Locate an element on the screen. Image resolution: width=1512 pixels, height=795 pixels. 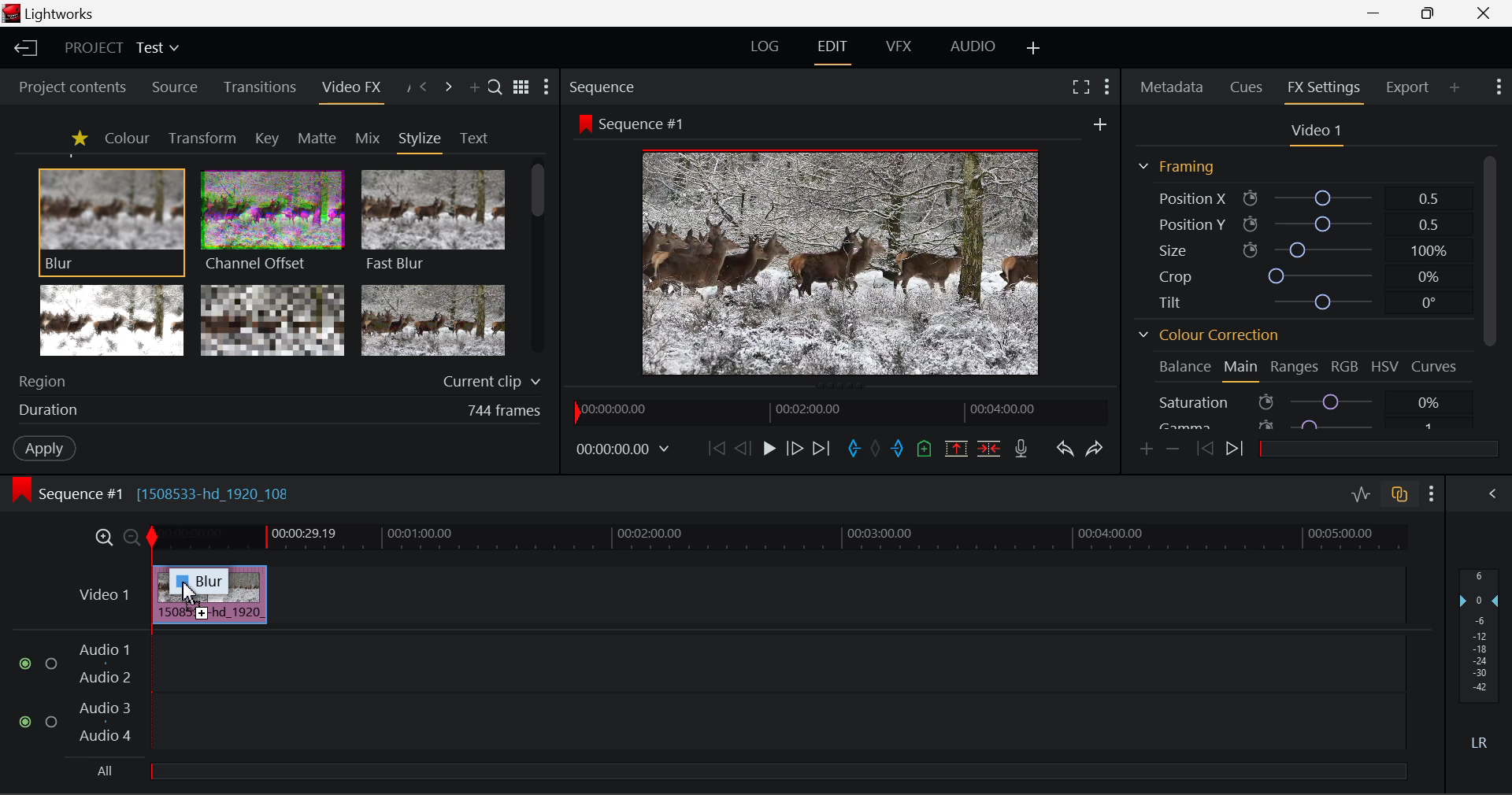
Position Y is located at coordinates (1299, 224).